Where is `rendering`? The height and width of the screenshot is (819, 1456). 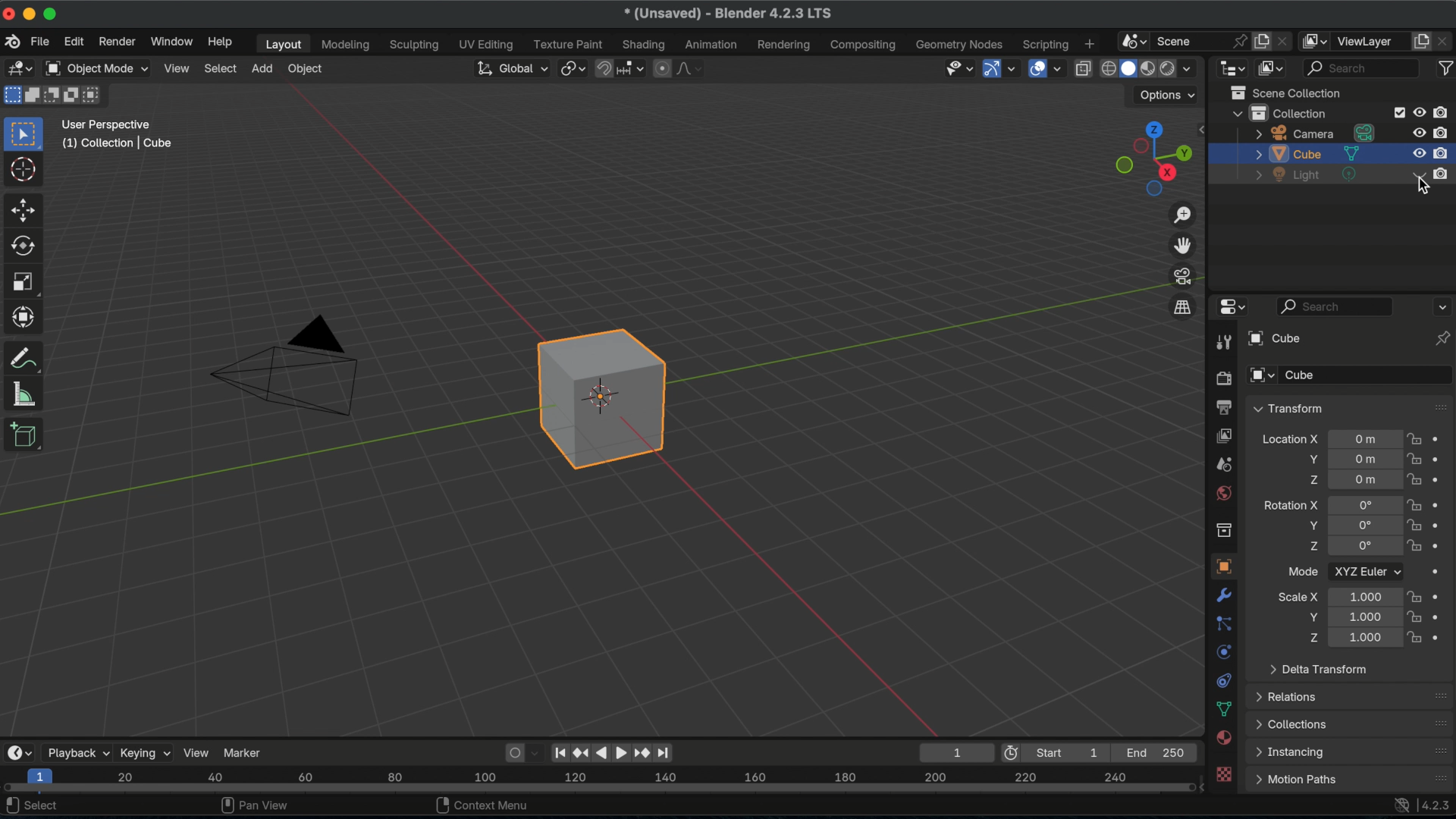 rendering is located at coordinates (786, 44).